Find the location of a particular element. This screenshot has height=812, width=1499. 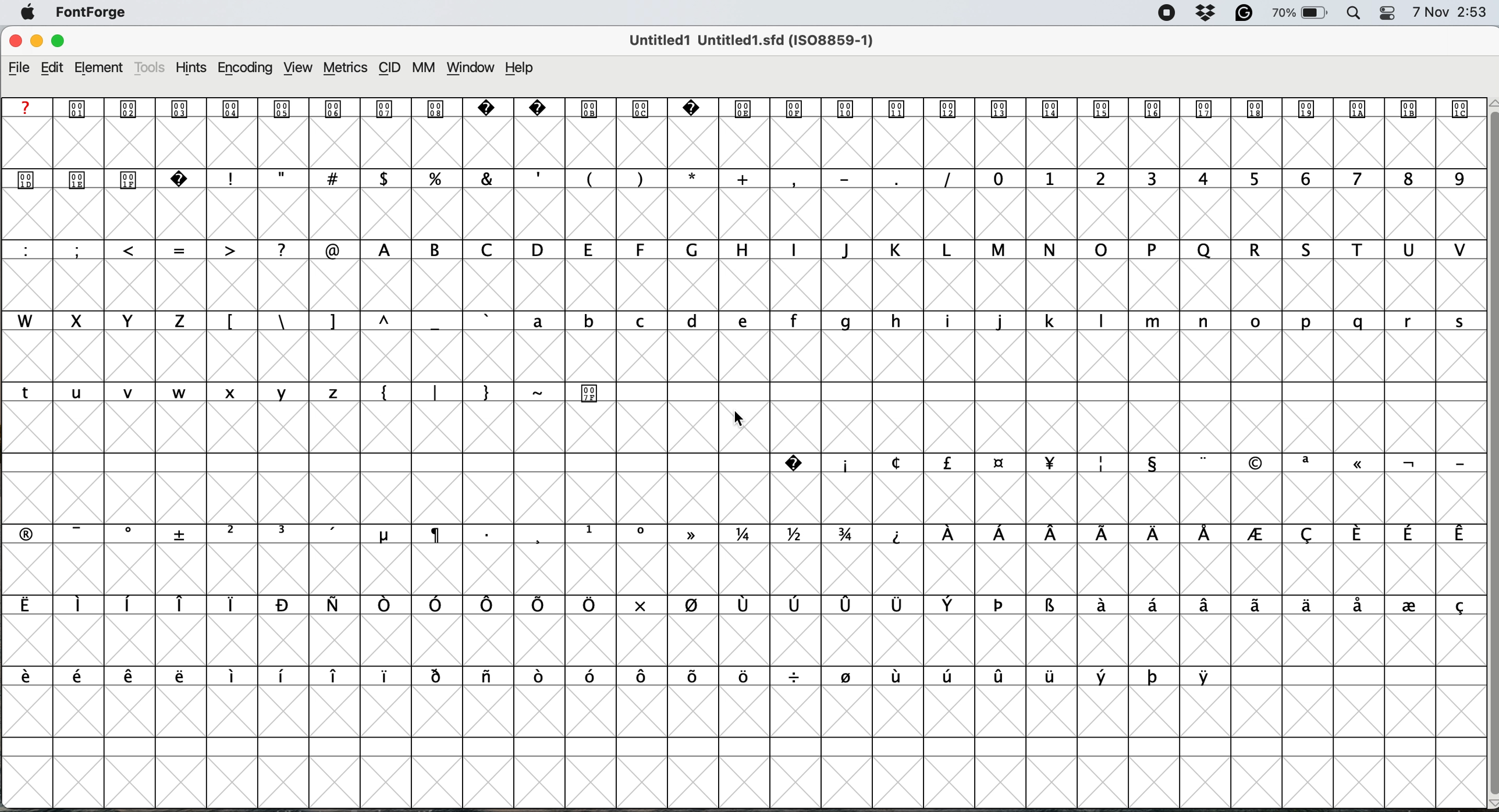

control center is located at coordinates (1391, 12).